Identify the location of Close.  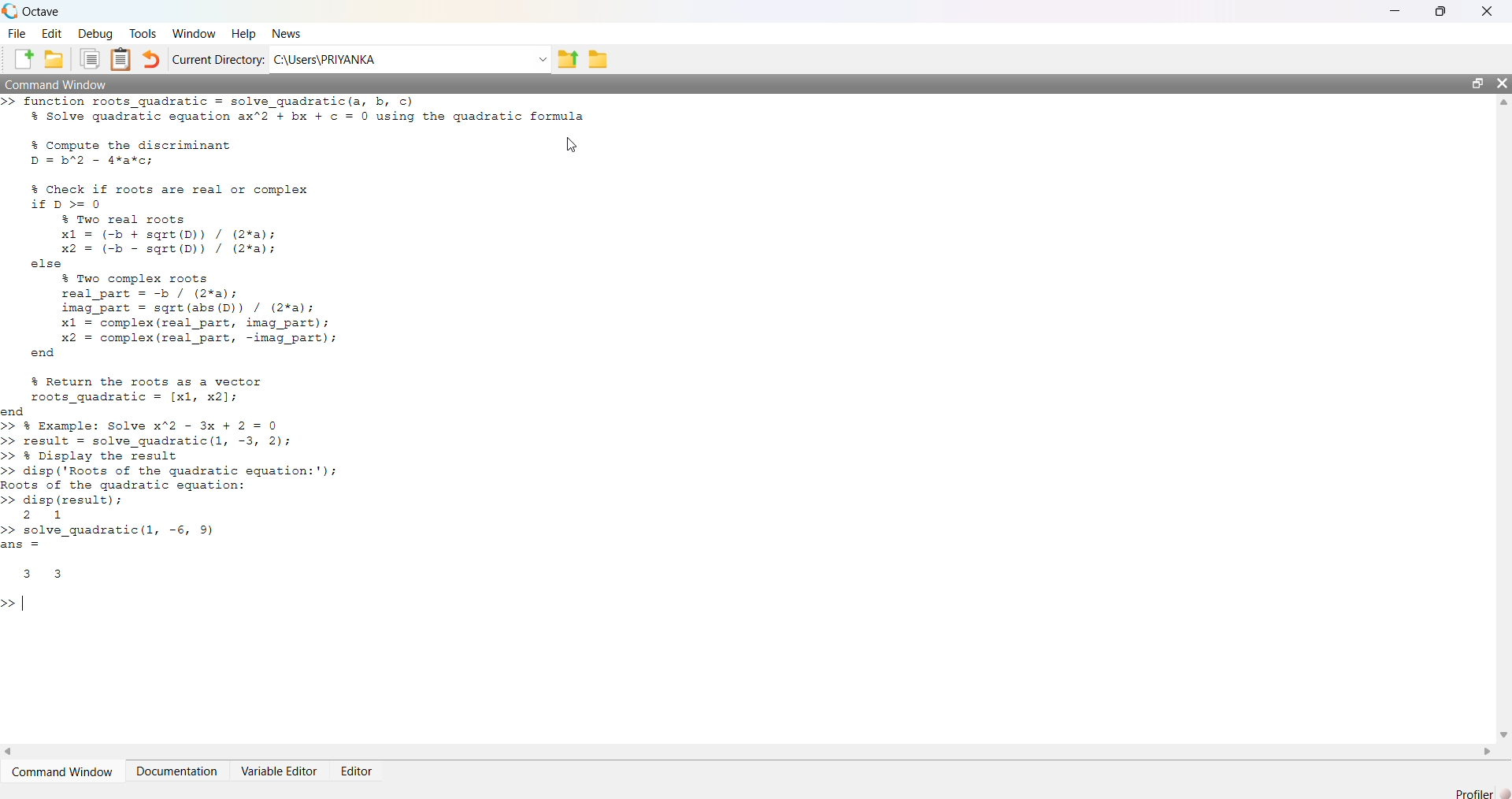
(1502, 86).